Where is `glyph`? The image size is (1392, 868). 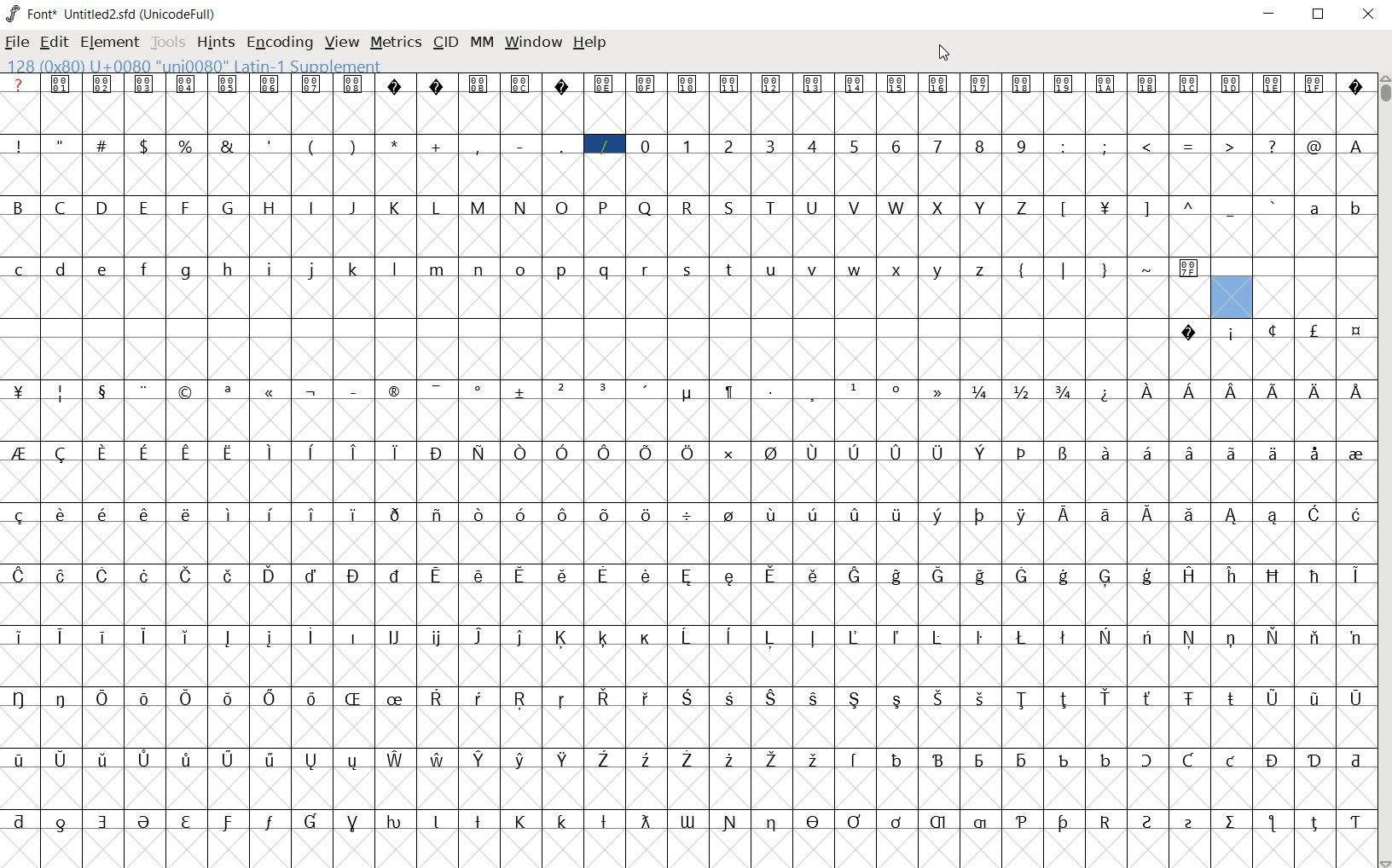 glyph is located at coordinates (1188, 333).